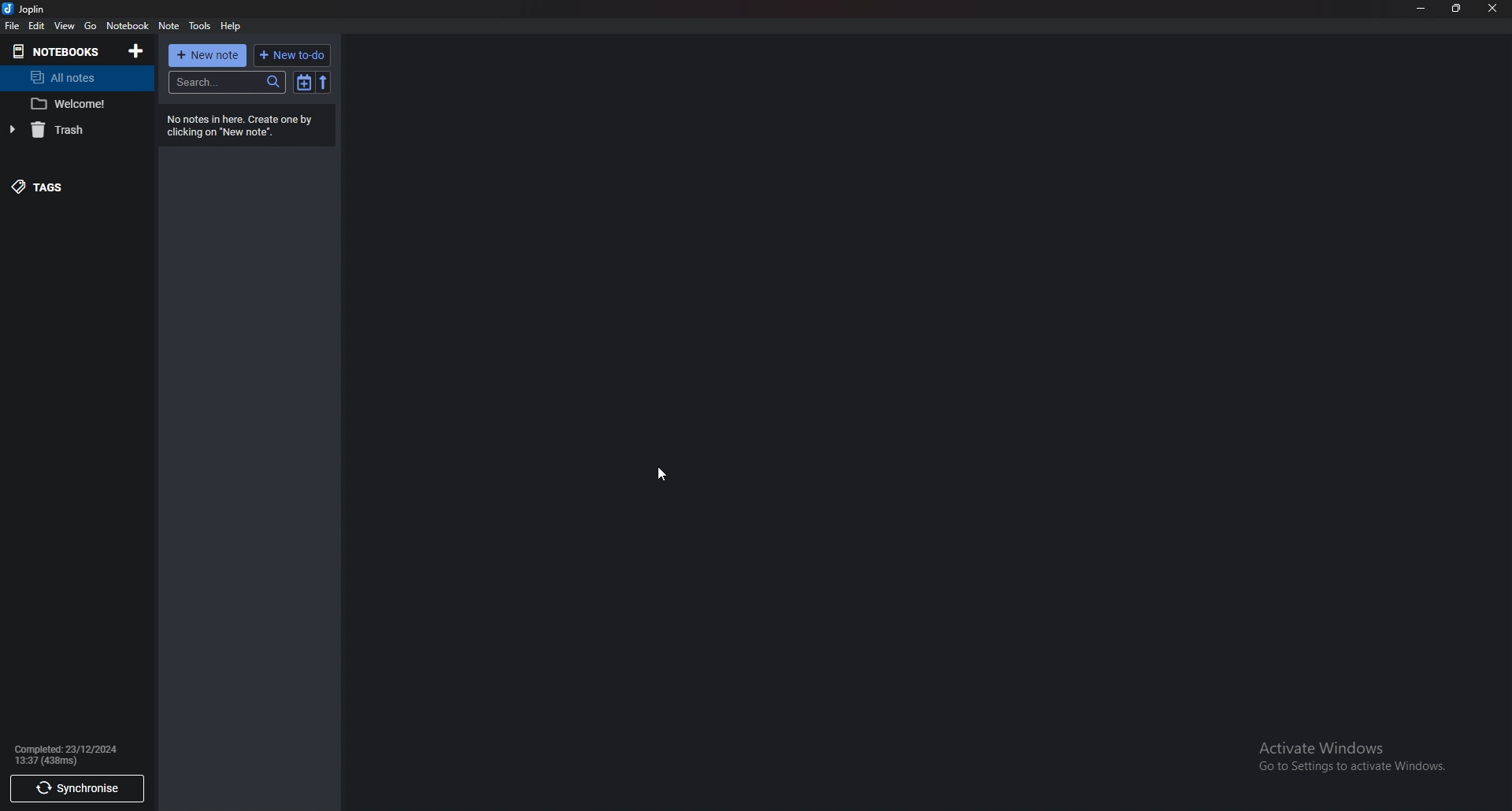 Image resolution: width=1512 pixels, height=811 pixels. Describe the element at coordinates (324, 83) in the screenshot. I see `Reverse sort order` at that location.